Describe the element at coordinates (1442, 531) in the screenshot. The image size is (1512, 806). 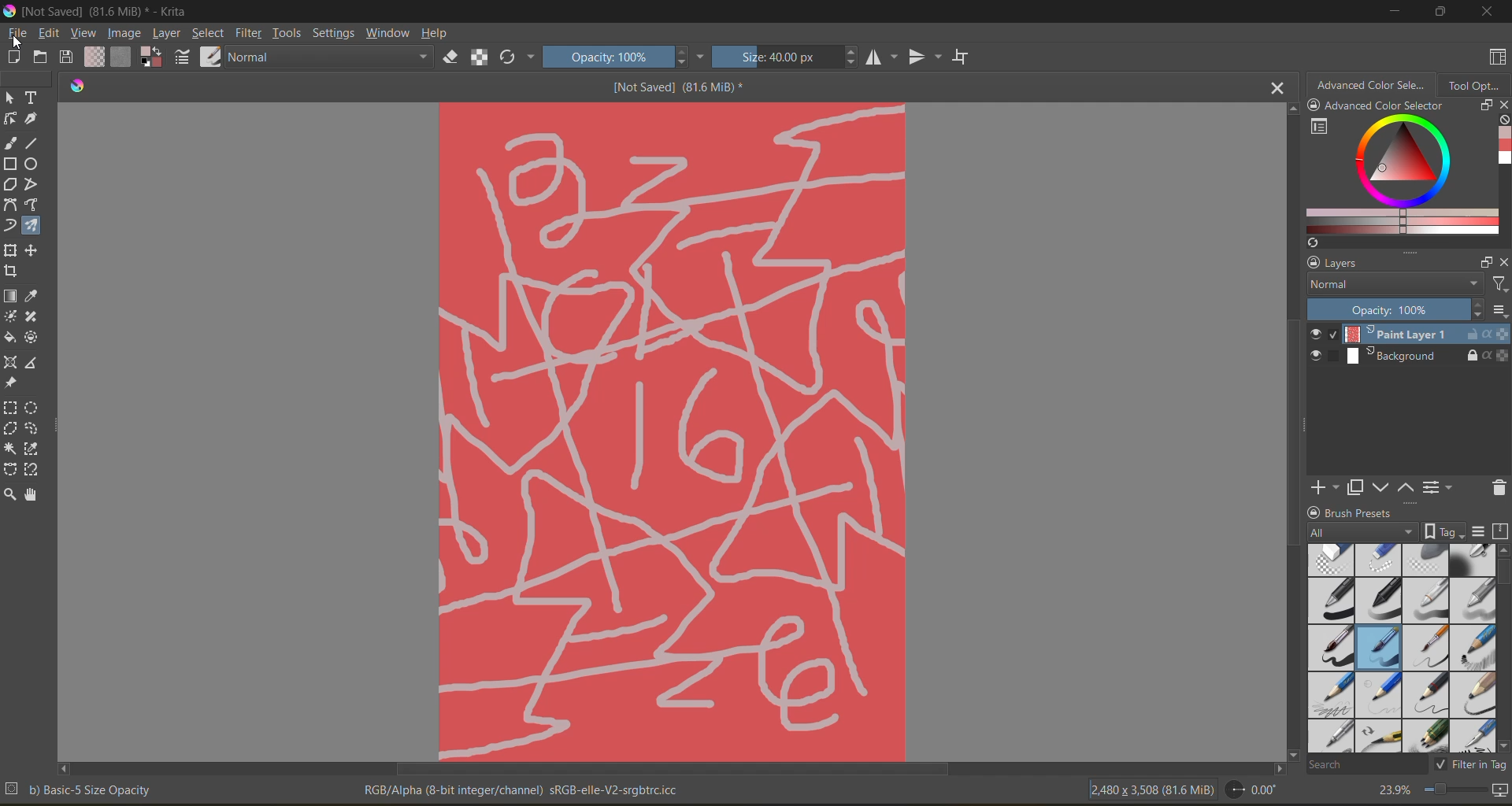
I see `show tag` at that location.